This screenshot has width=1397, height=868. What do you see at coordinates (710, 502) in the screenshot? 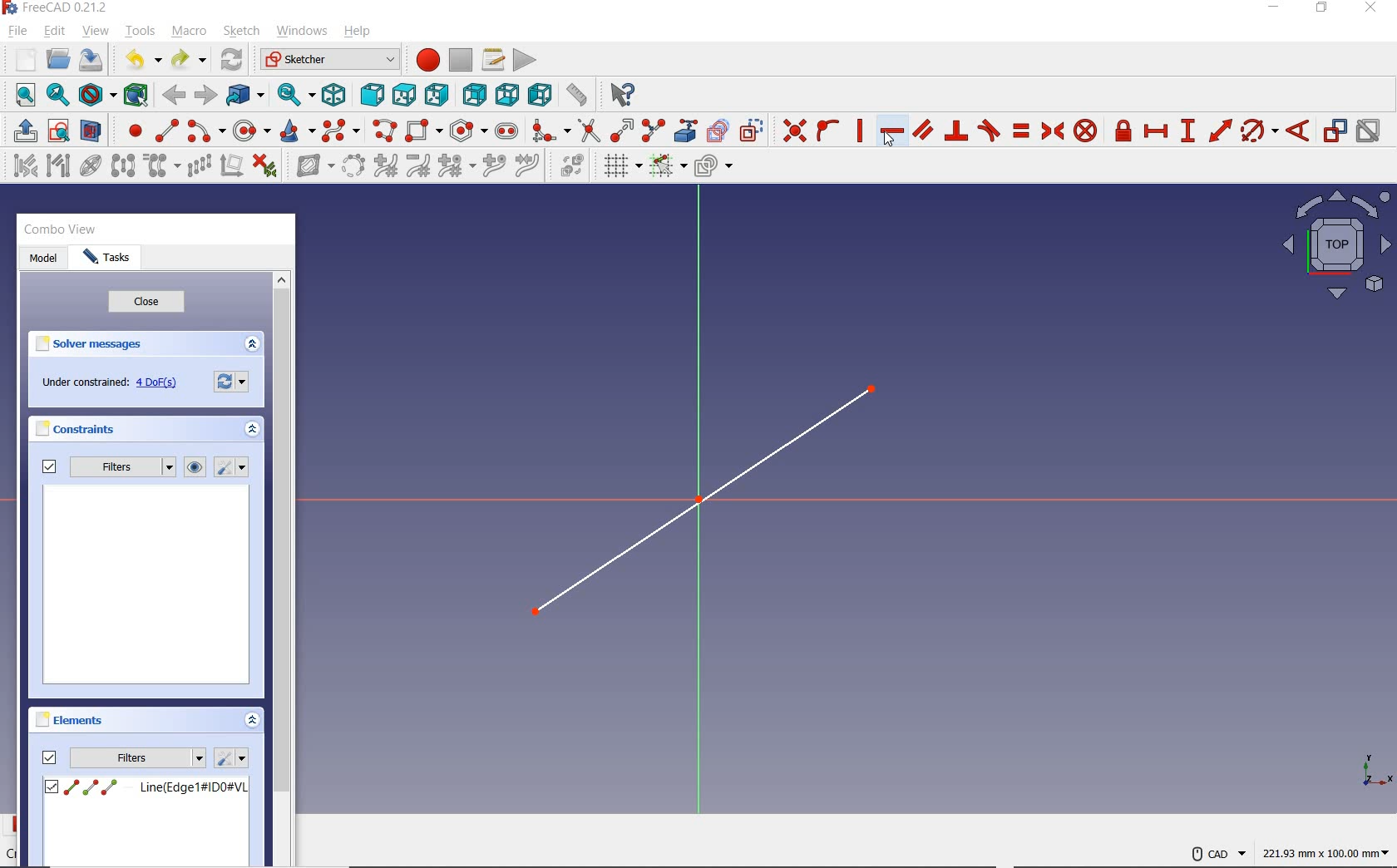
I see `basic shape: line` at bounding box center [710, 502].